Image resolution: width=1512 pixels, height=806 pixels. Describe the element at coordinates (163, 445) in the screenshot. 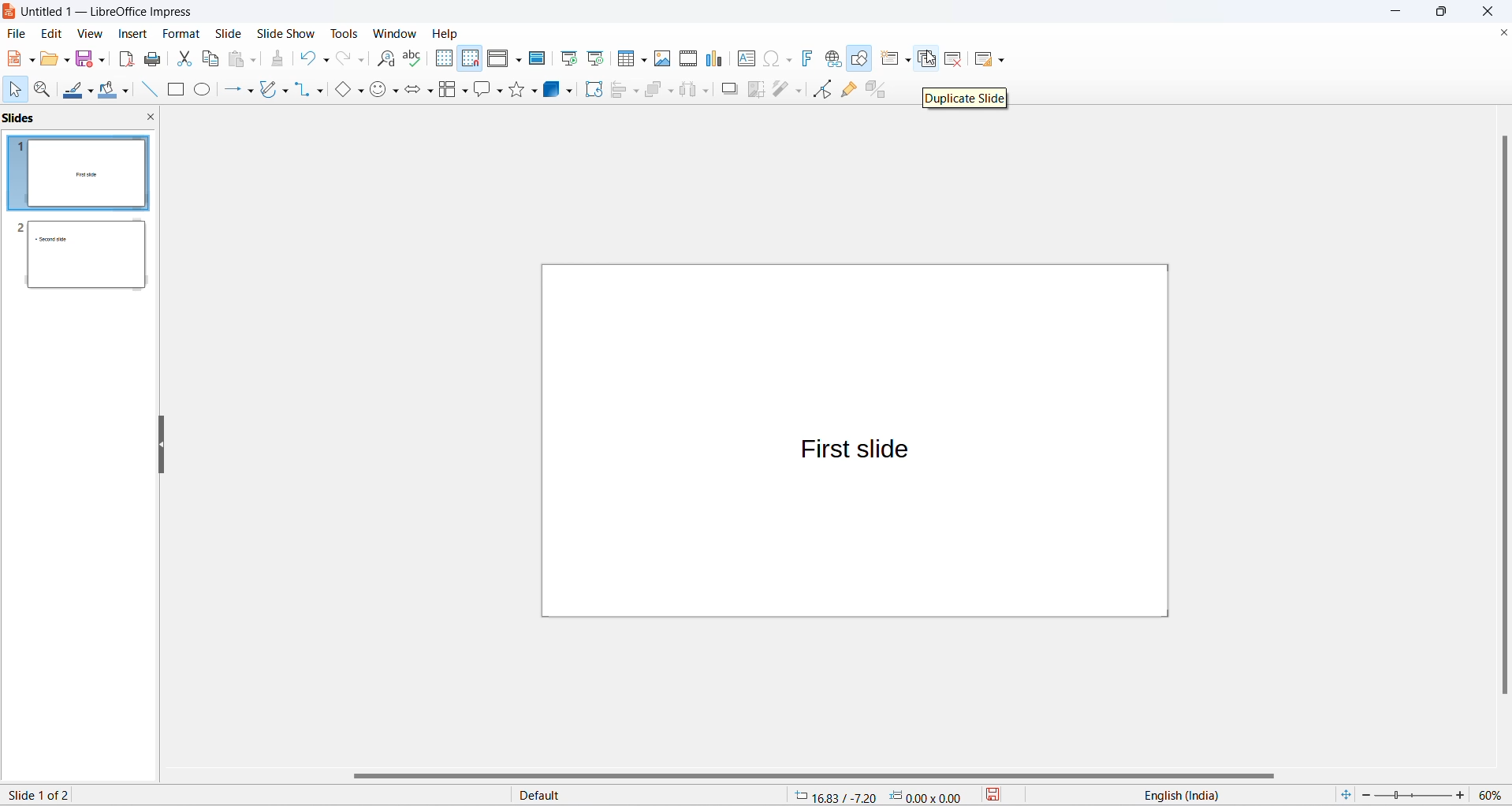

I see `resize` at that location.